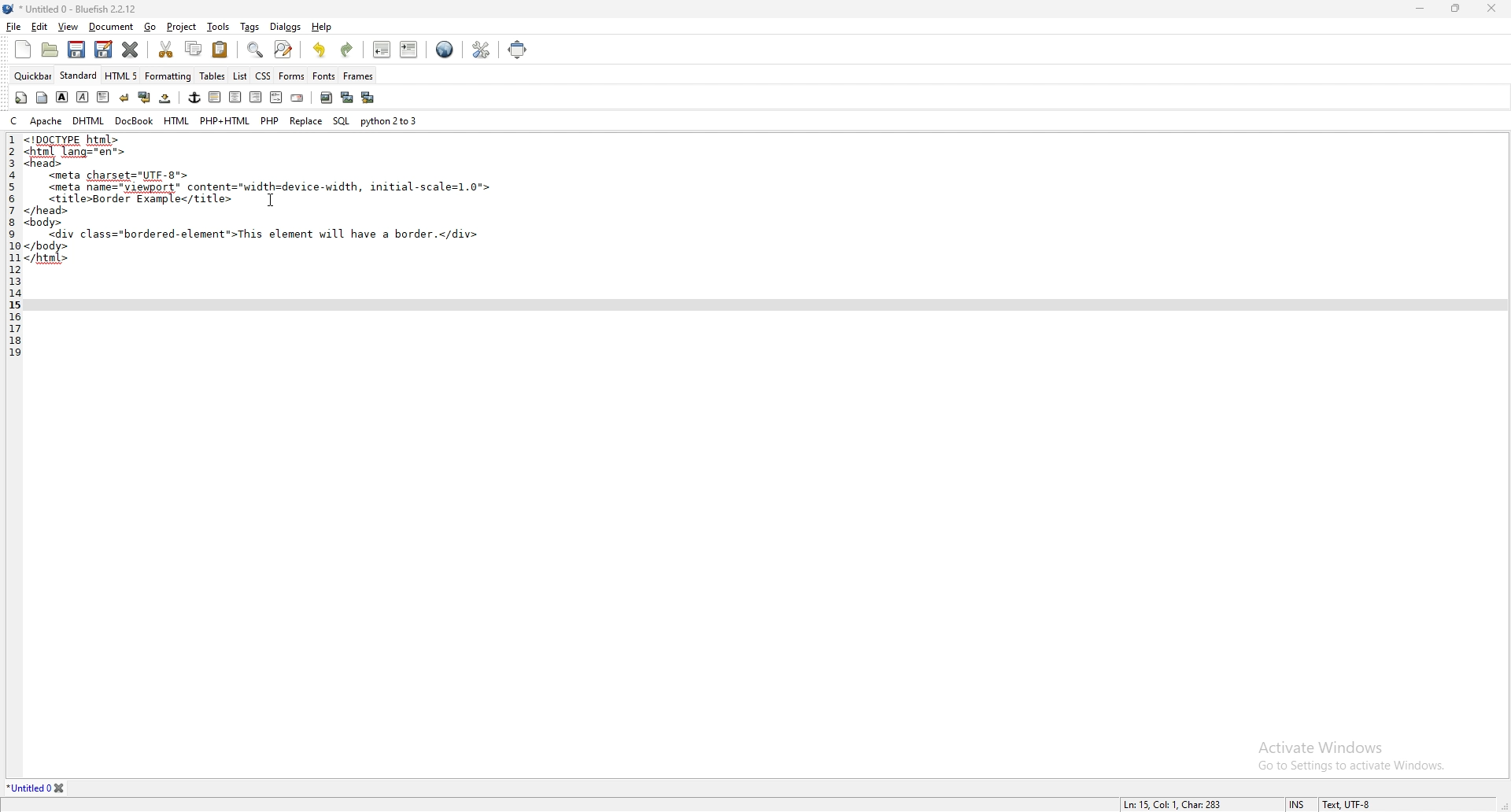  Describe the element at coordinates (21, 98) in the screenshot. I see `quickstart` at that location.